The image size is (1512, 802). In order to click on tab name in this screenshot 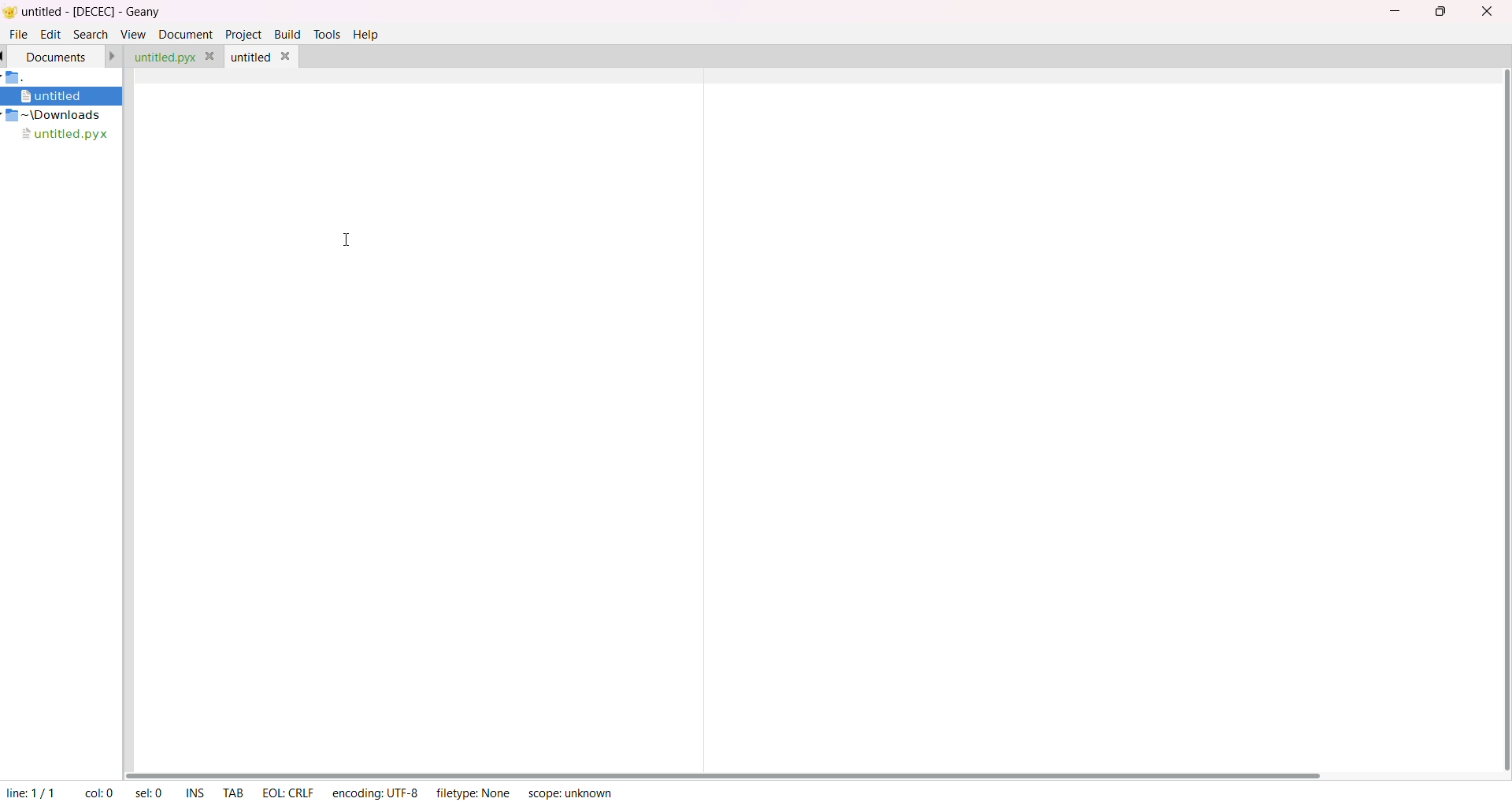, I will do `click(252, 57)`.